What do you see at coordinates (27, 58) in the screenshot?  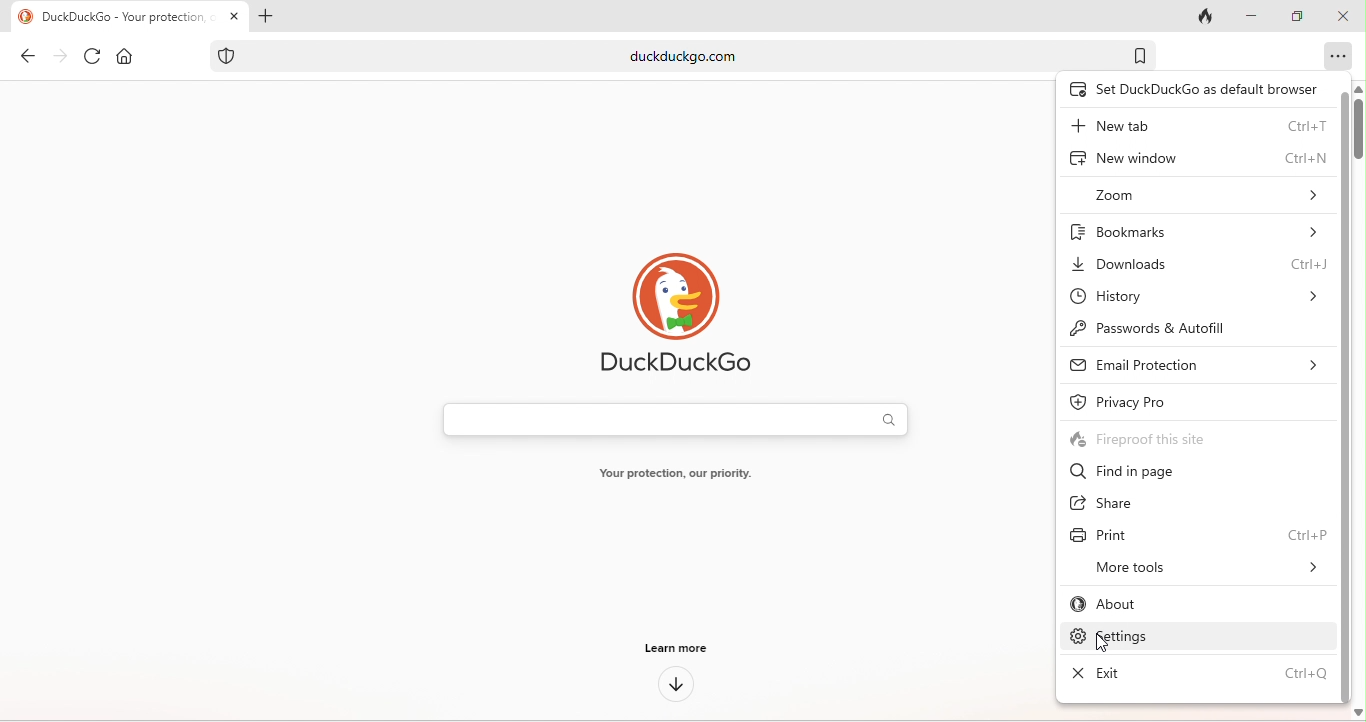 I see `back` at bounding box center [27, 58].